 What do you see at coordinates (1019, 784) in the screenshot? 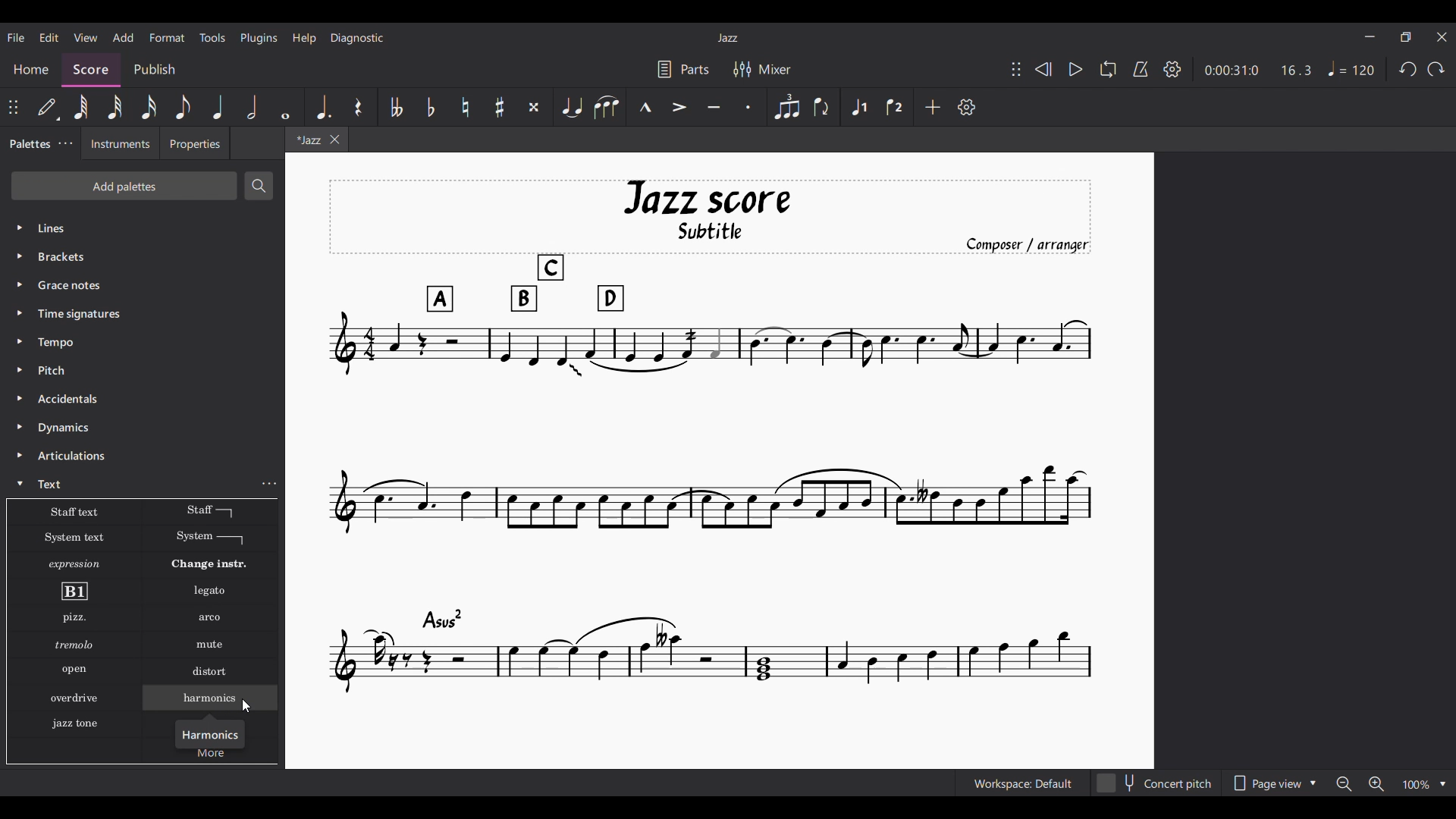
I see `Current workspace setting` at bounding box center [1019, 784].